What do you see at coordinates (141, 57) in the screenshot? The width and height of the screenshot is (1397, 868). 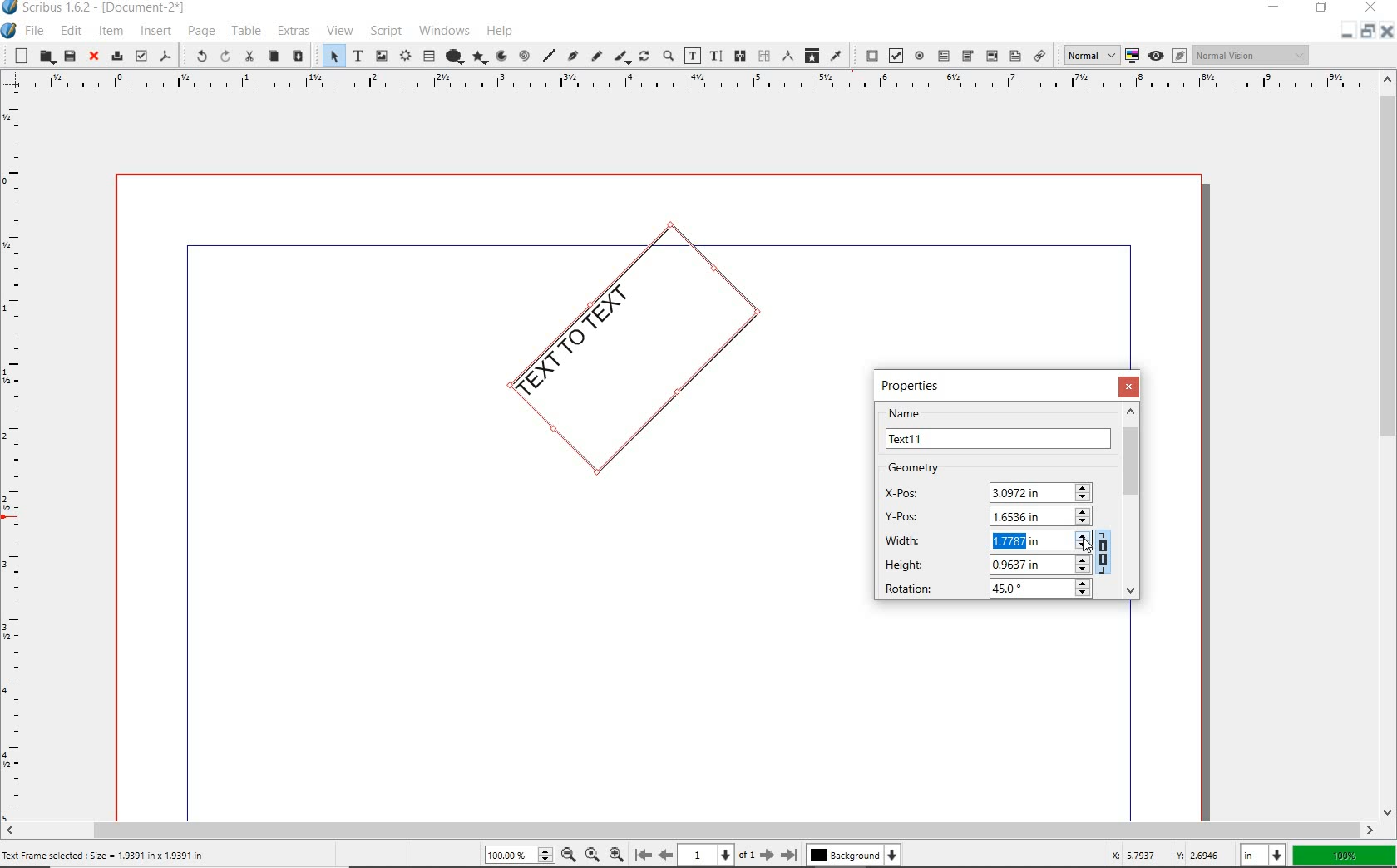 I see `preflight verifier` at bounding box center [141, 57].